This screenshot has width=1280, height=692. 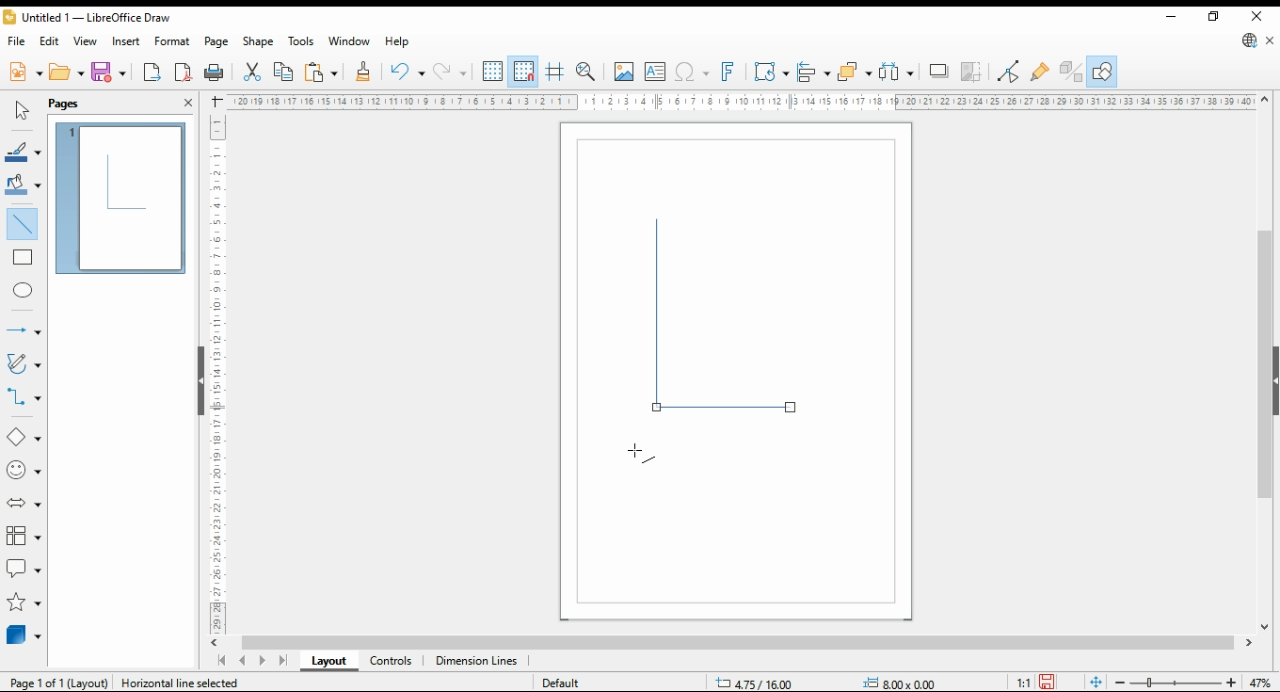 I want to click on cut, so click(x=250, y=72).